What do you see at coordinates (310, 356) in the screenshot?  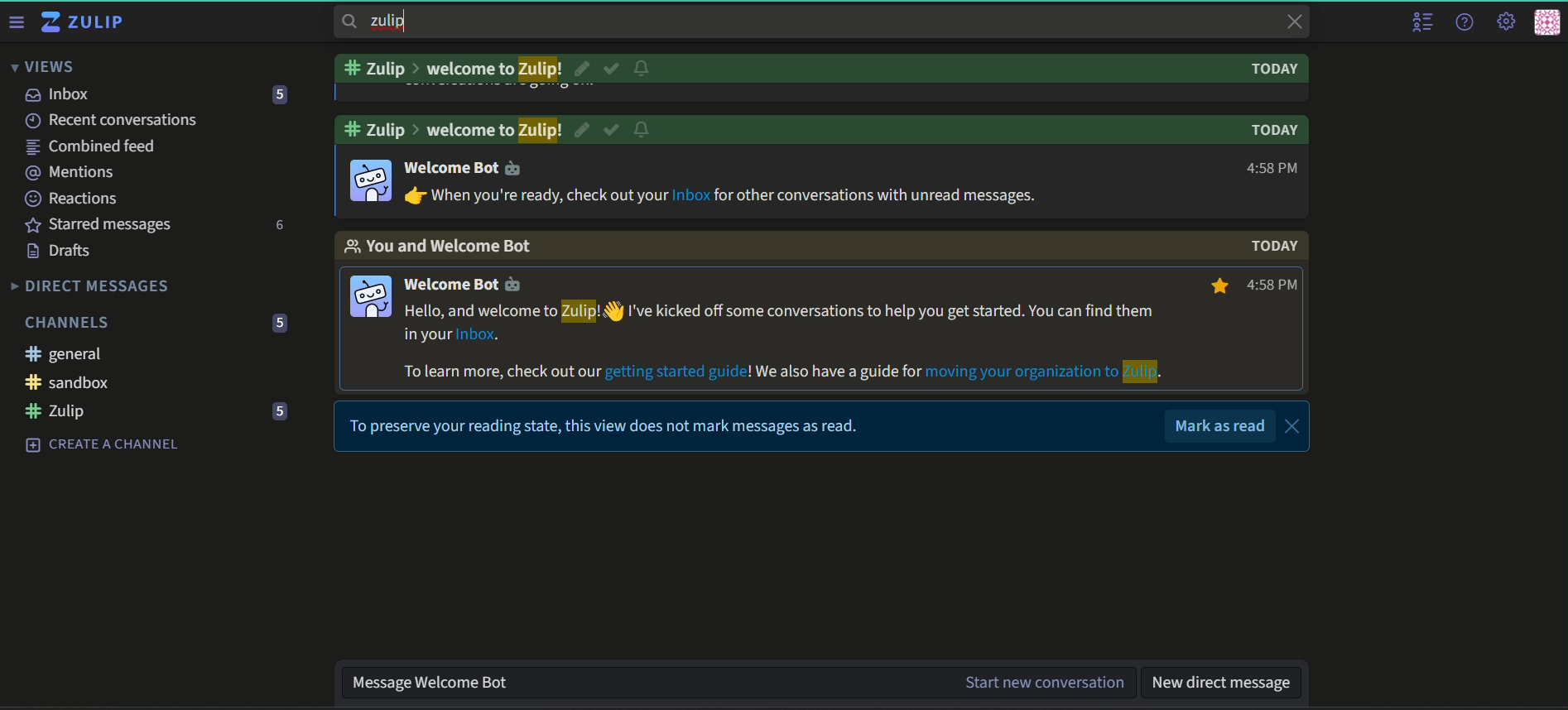 I see `options` at bounding box center [310, 356].